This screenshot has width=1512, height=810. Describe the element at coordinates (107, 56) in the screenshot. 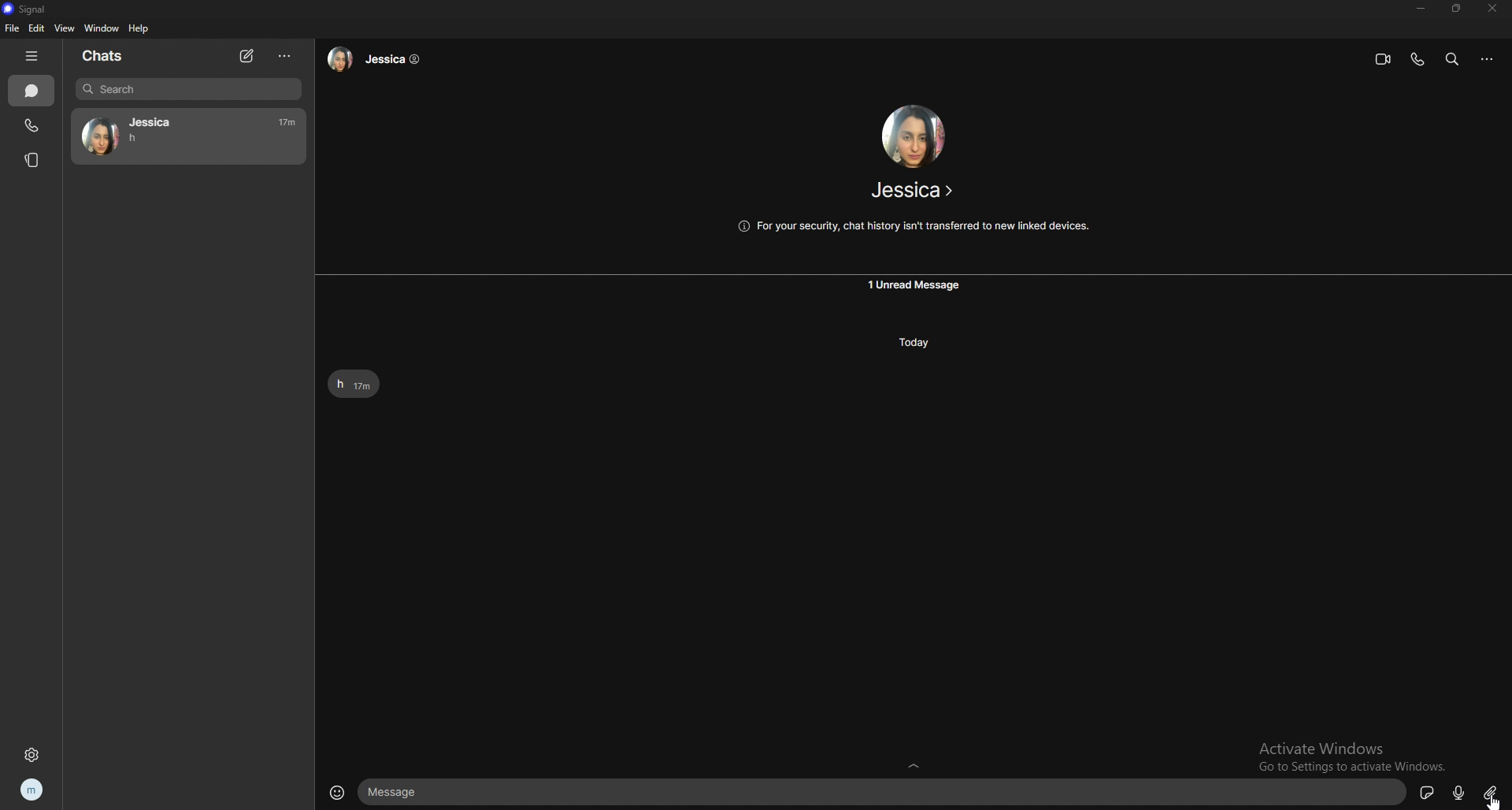

I see `chats` at that location.